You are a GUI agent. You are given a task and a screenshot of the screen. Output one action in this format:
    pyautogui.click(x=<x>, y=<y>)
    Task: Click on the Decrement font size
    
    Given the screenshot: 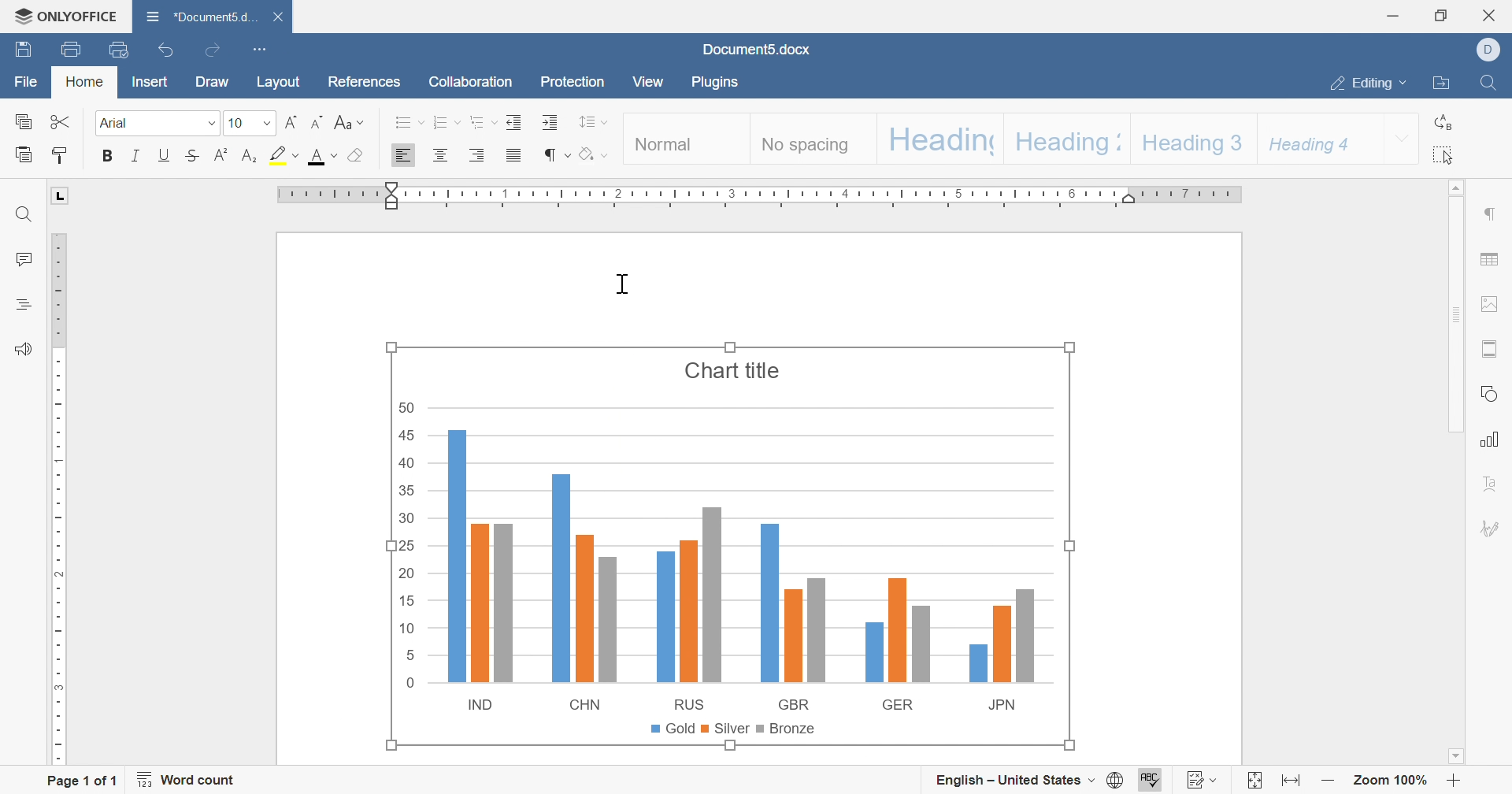 What is the action you would take?
    pyautogui.click(x=319, y=123)
    